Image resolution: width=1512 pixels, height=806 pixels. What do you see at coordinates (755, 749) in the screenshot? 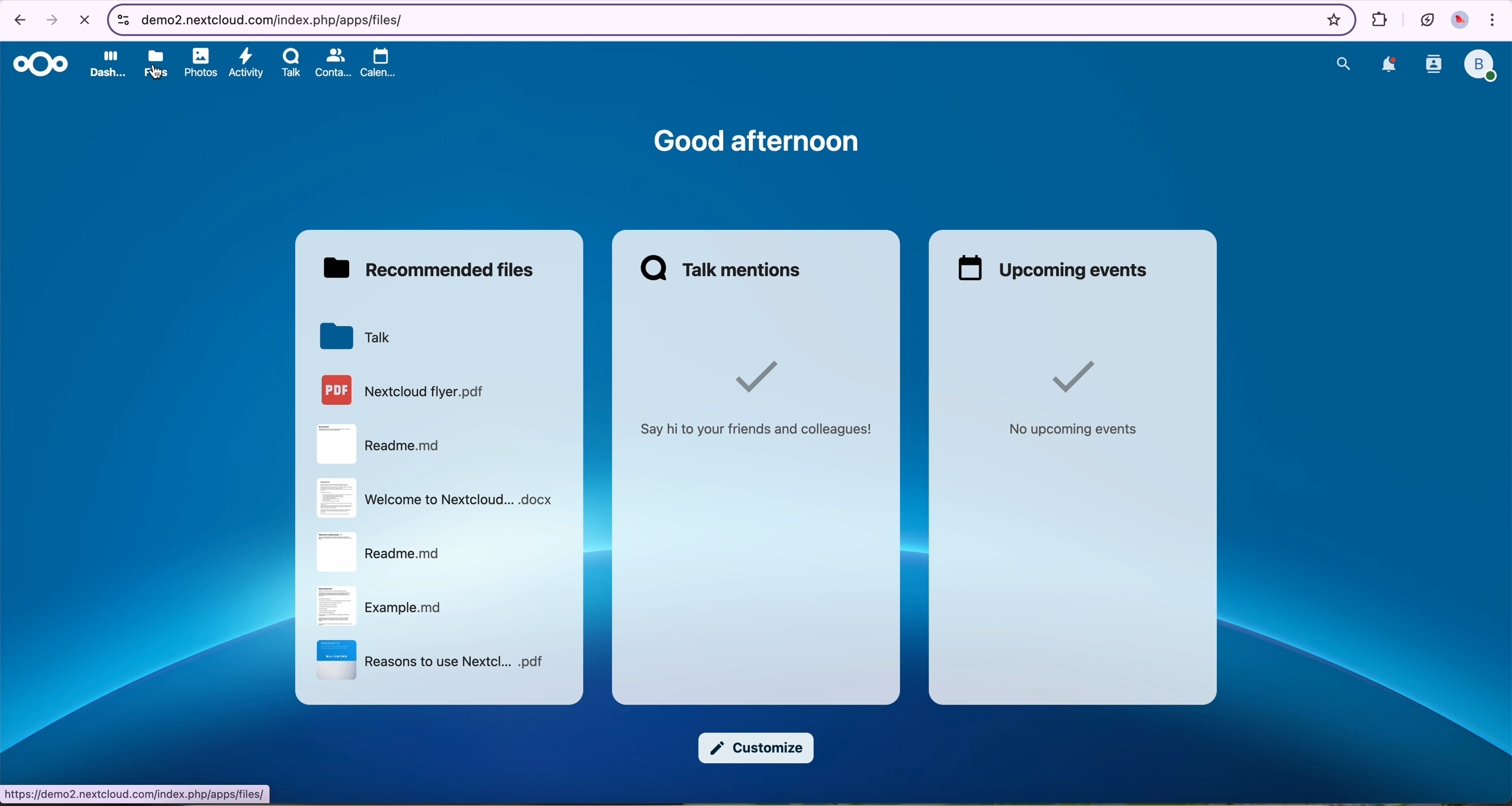
I see `customize button` at bounding box center [755, 749].